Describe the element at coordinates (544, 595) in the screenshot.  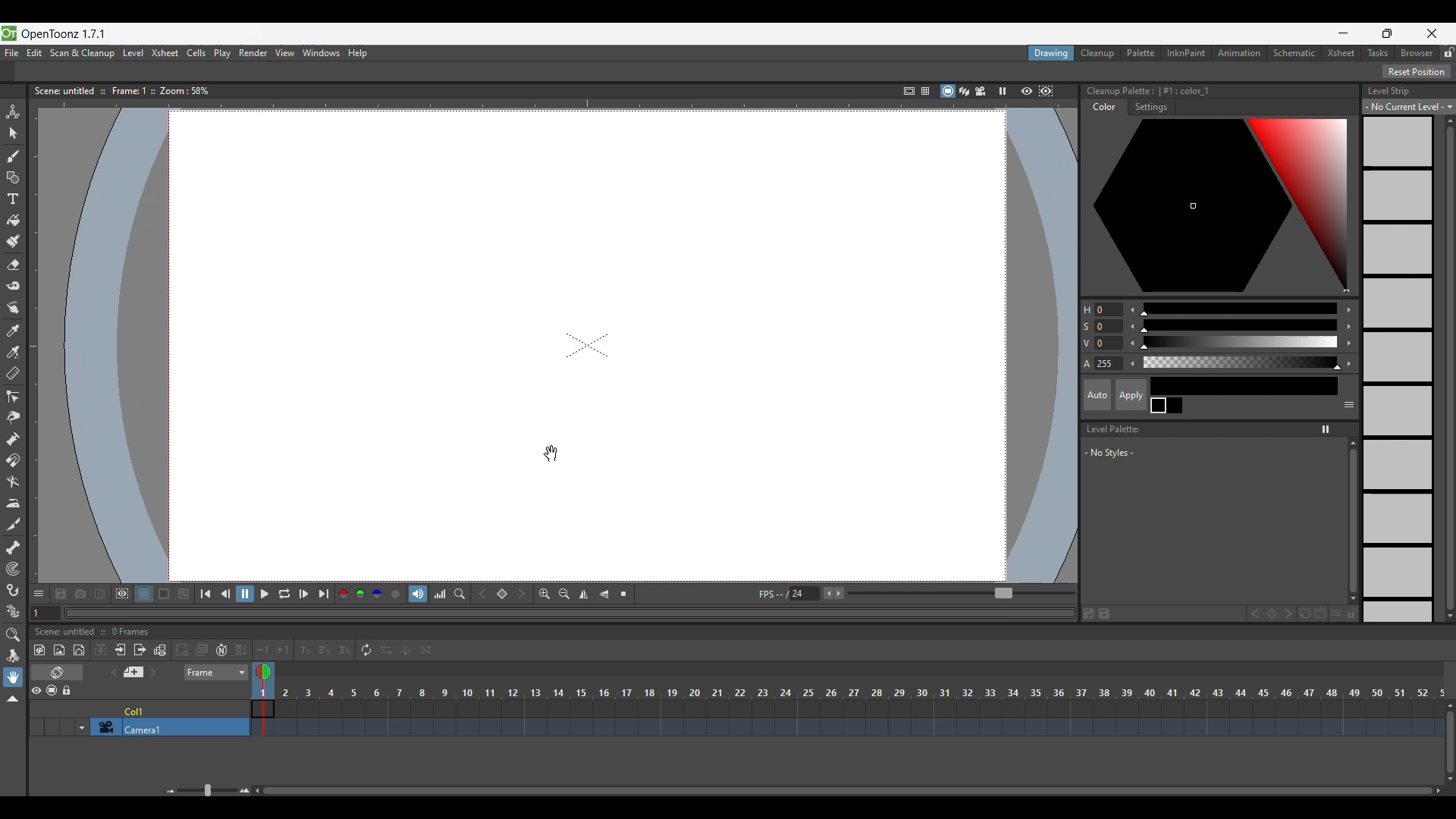
I see `Zoom in` at that location.